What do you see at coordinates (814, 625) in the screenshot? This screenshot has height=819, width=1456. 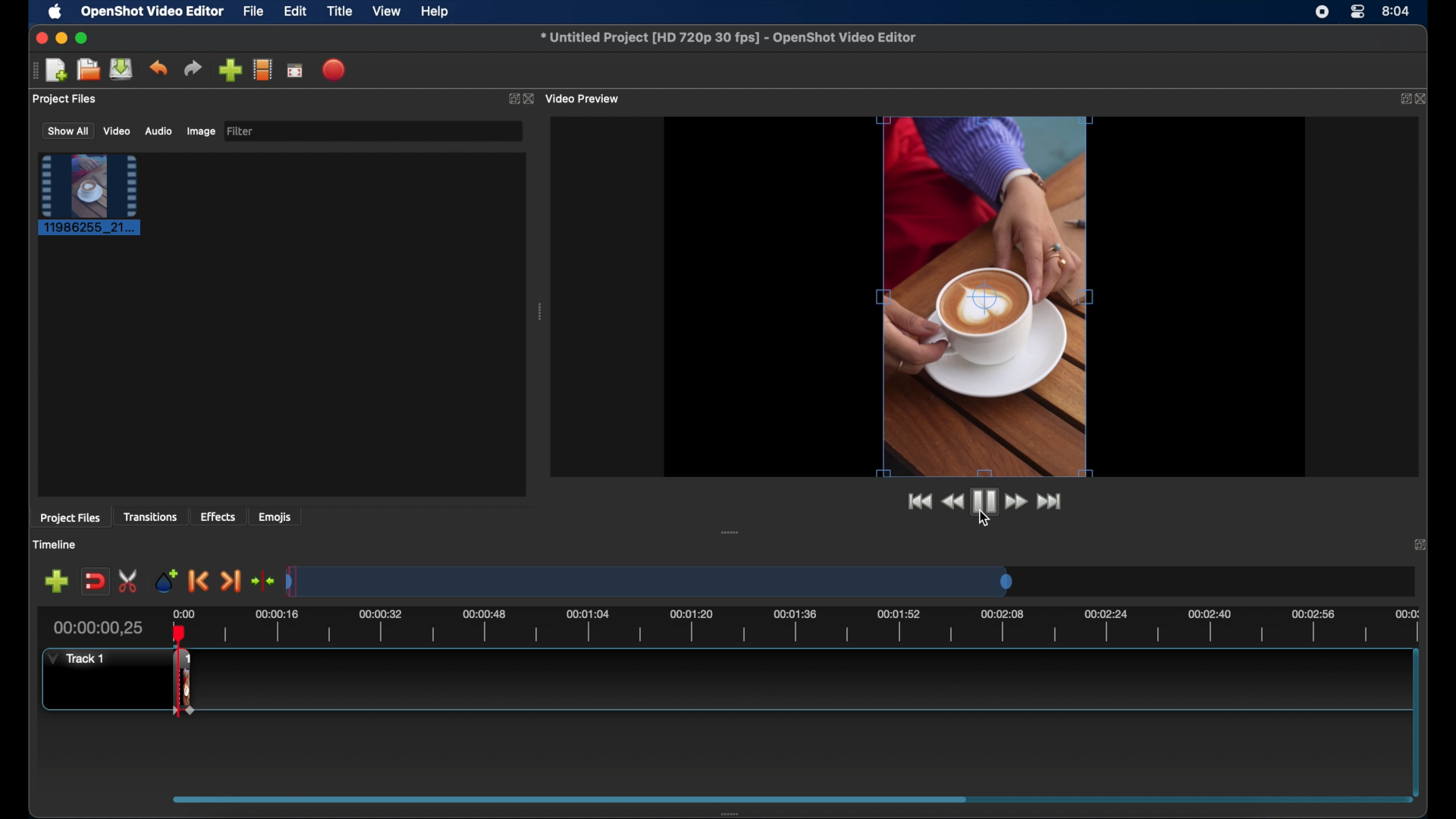 I see `timeline ` at bounding box center [814, 625].